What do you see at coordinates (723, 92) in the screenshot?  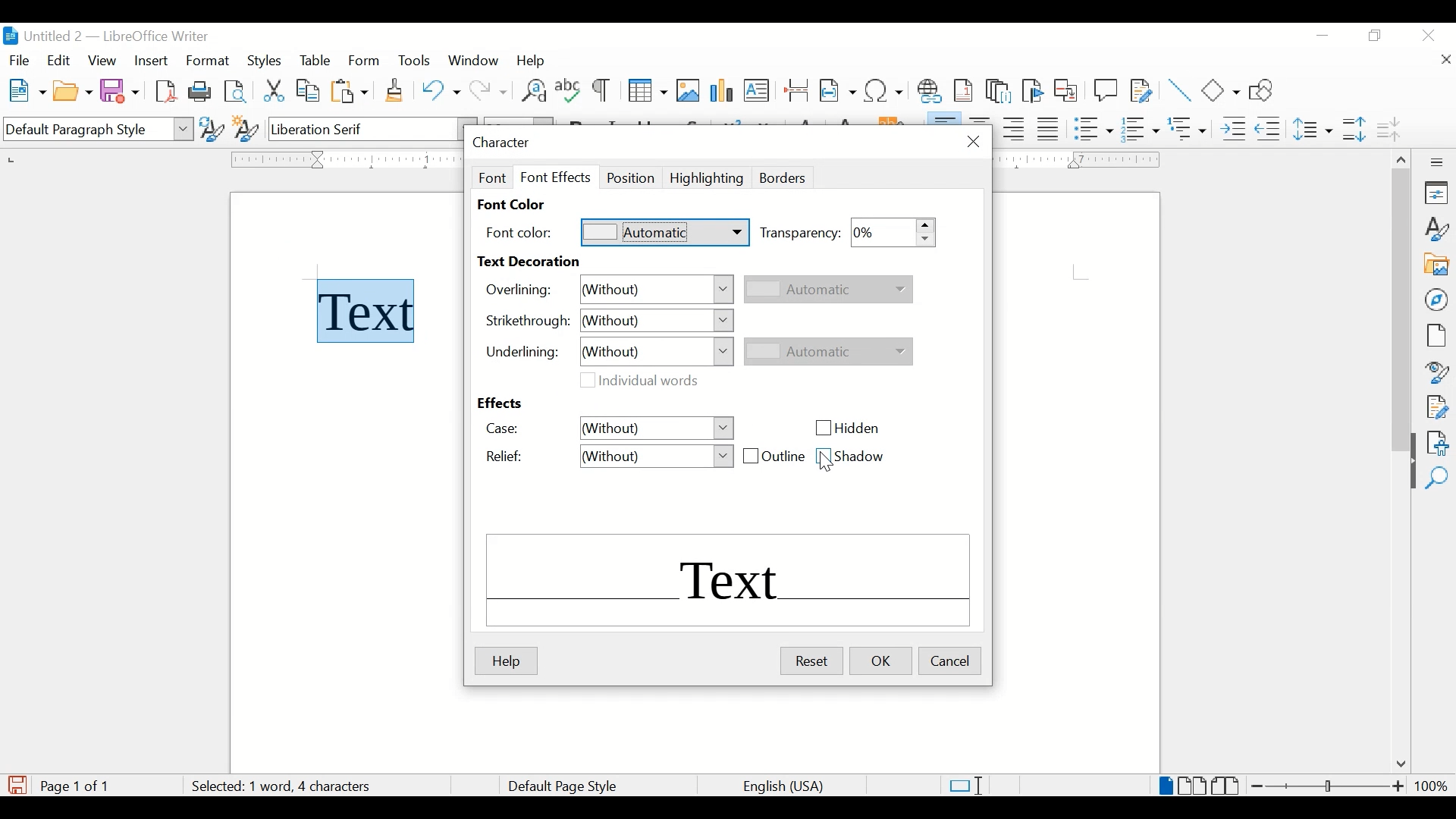 I see `insert chart` at bounding box center [723, 92].